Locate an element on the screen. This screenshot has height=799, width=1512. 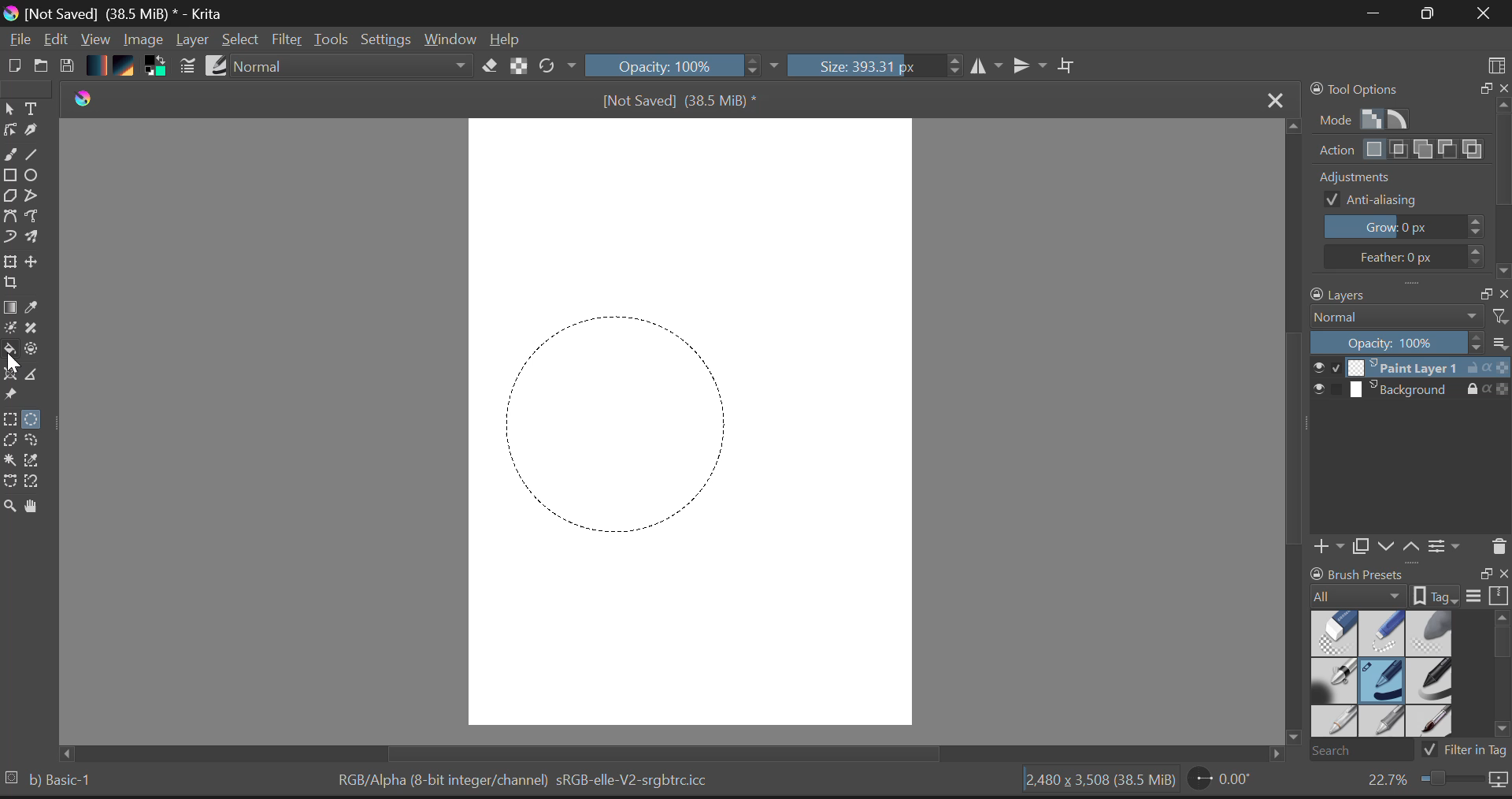
Reference Images is located at coordinates (13, 396).